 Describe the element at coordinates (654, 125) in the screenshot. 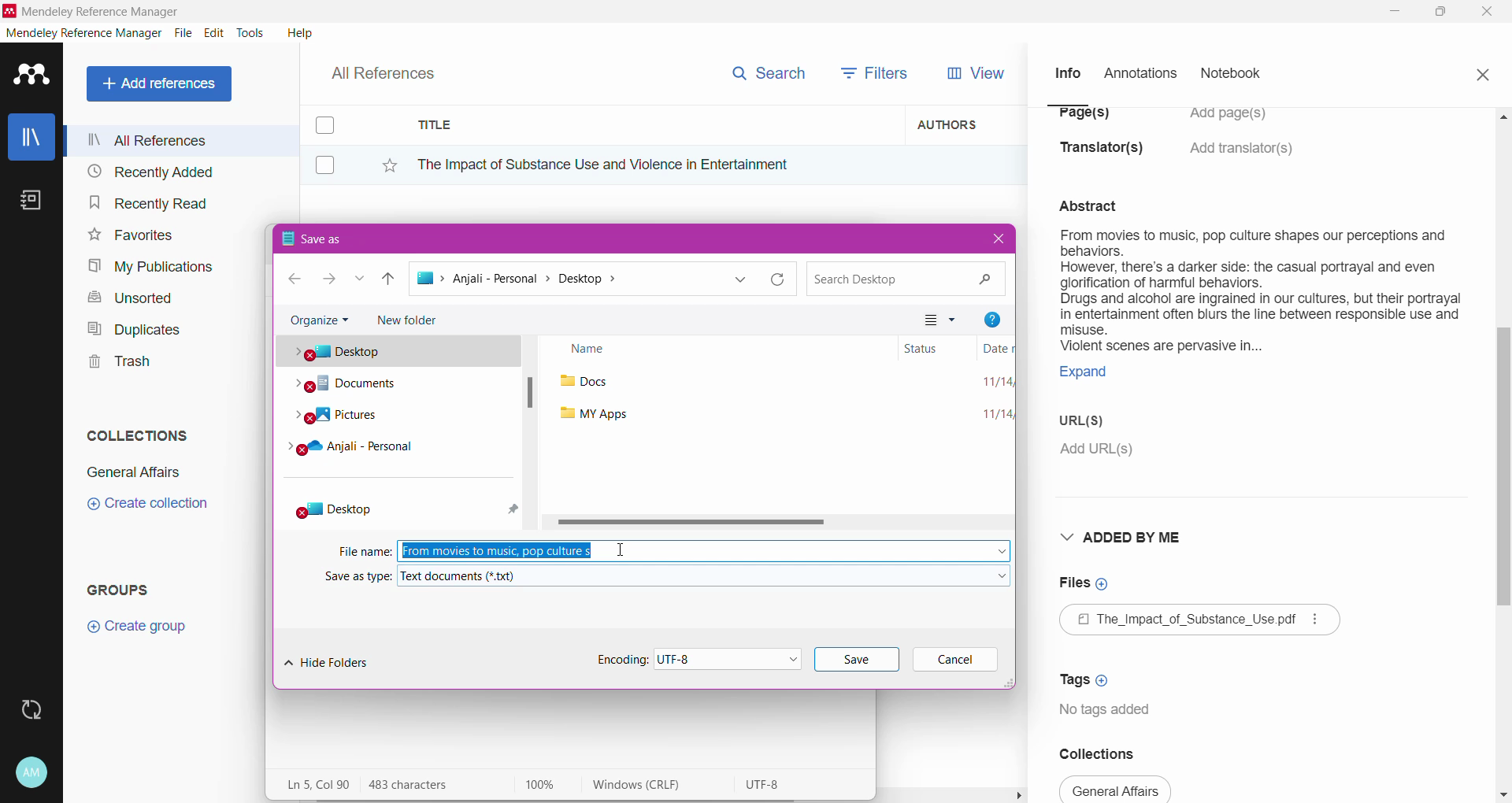

I see `Title` at that location.